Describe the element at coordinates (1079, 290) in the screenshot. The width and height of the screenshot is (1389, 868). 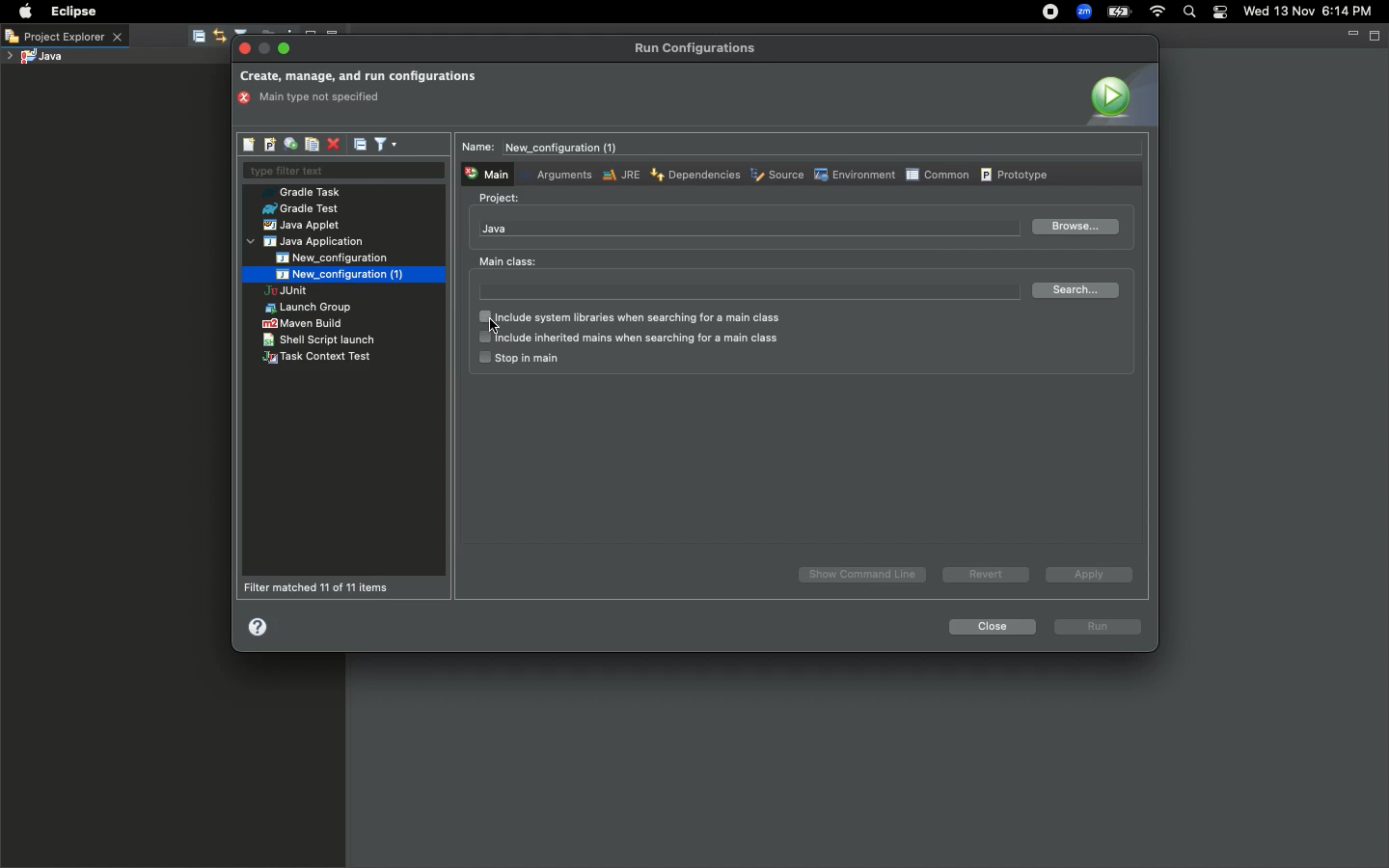
I see `Search...` at that location.